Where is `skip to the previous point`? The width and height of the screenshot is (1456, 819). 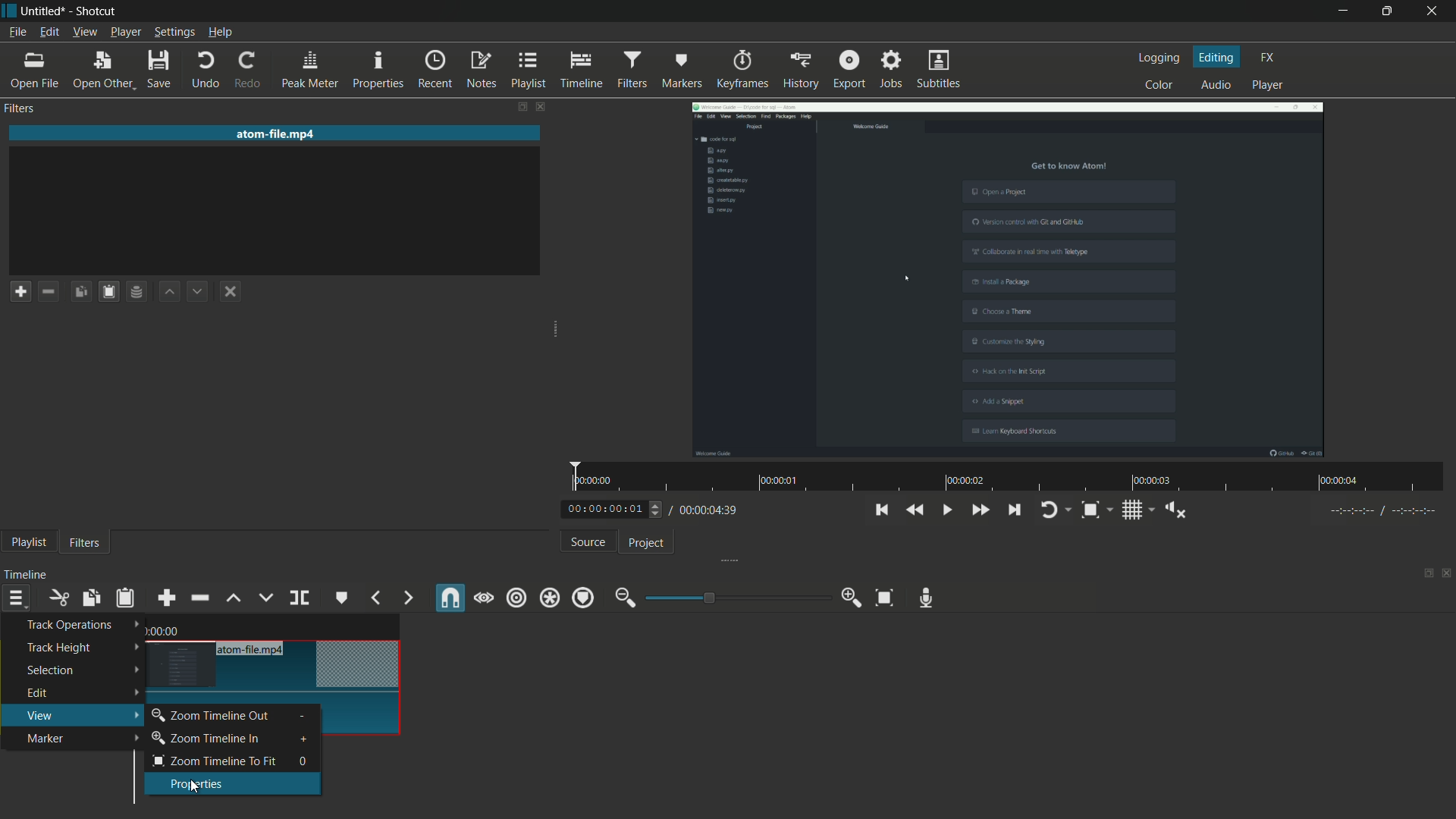 skip to the previous point is located at coordinates (880, 510).